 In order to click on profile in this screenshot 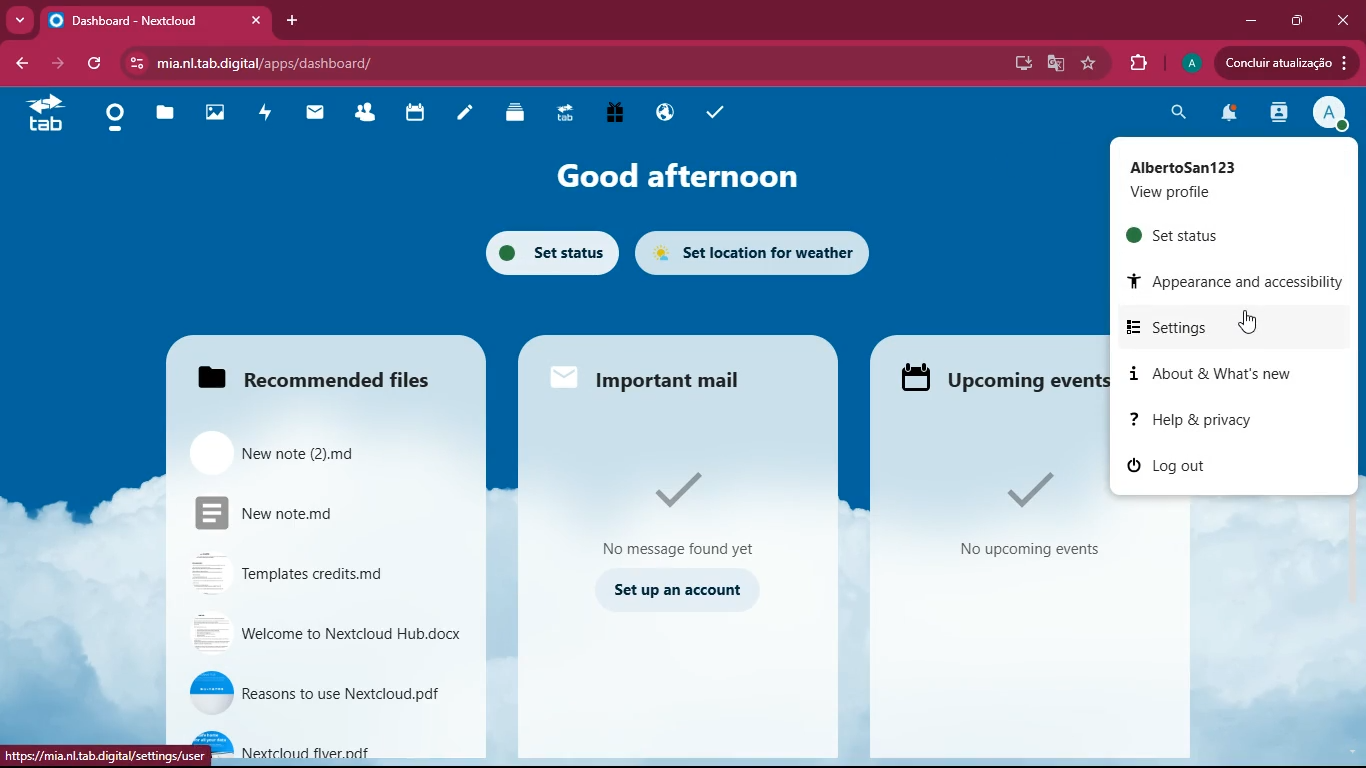, I will do `click(1188, 63)`.